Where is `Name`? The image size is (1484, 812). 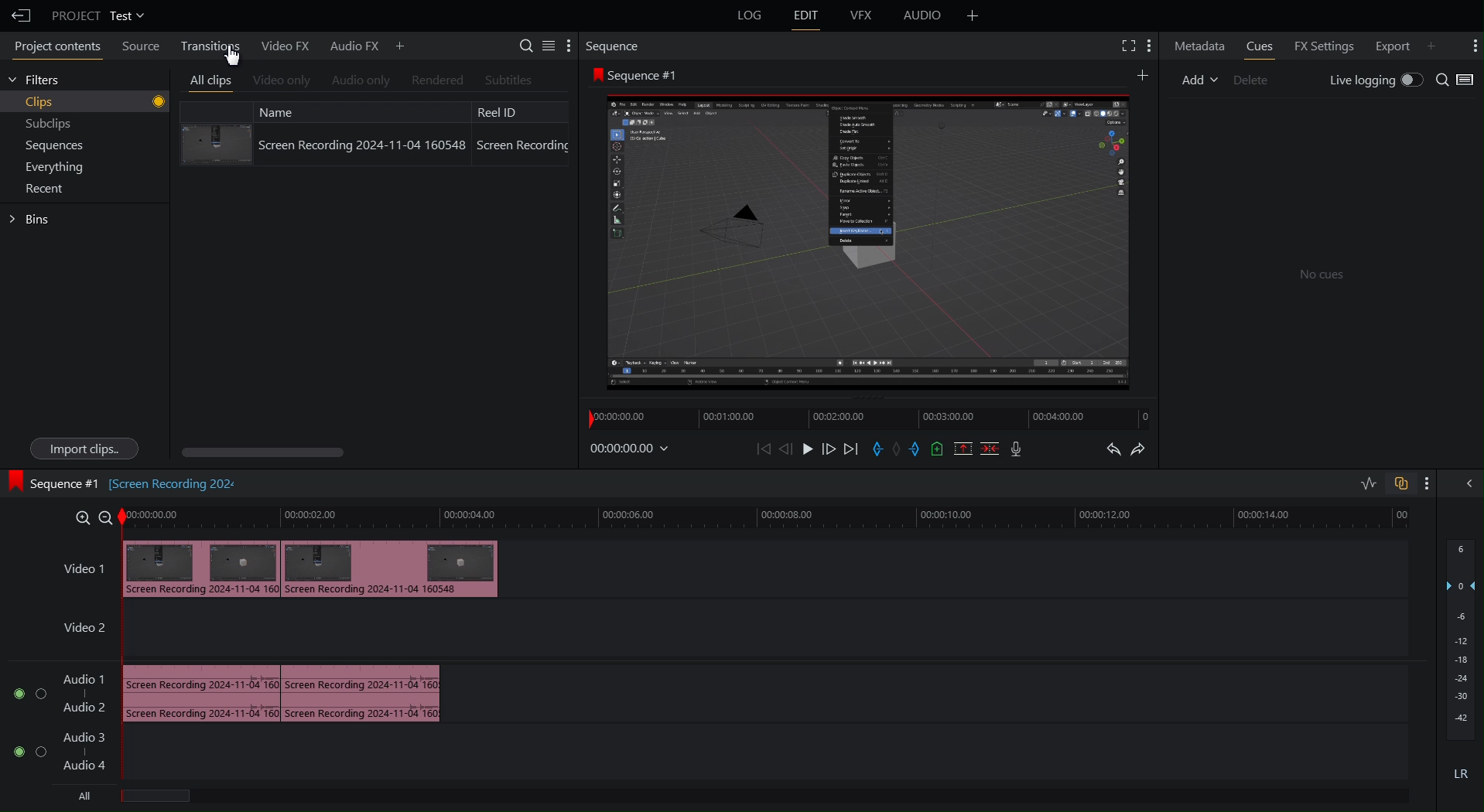
Name is located at coordinates (279, 111).